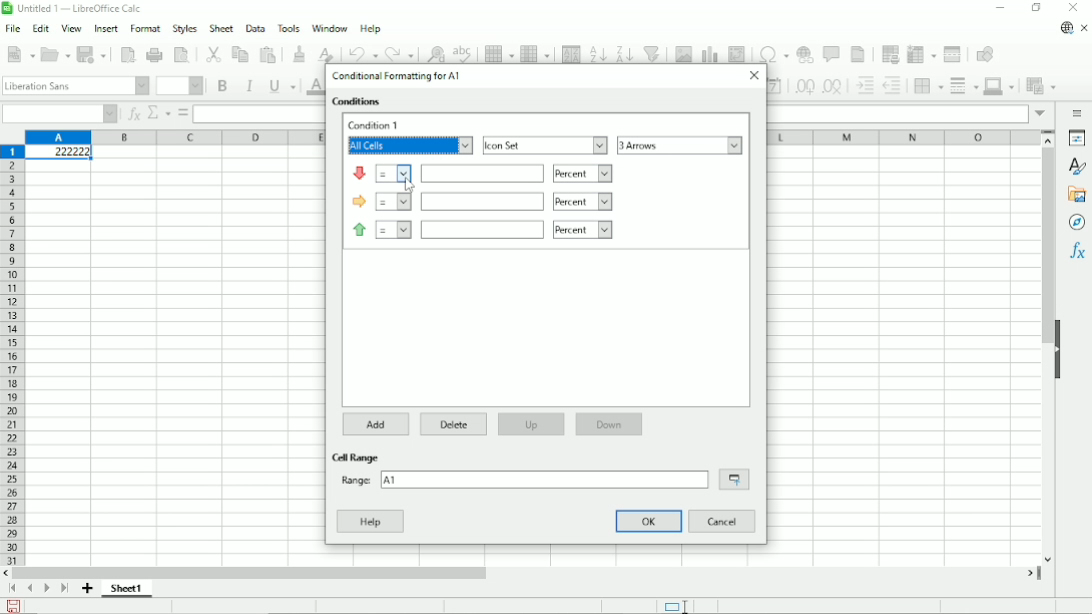 The image size is (1092, 614). Describe the element at coordinates (921, 53) in the screenshot. I see `Freeze columns and rows` at that location.